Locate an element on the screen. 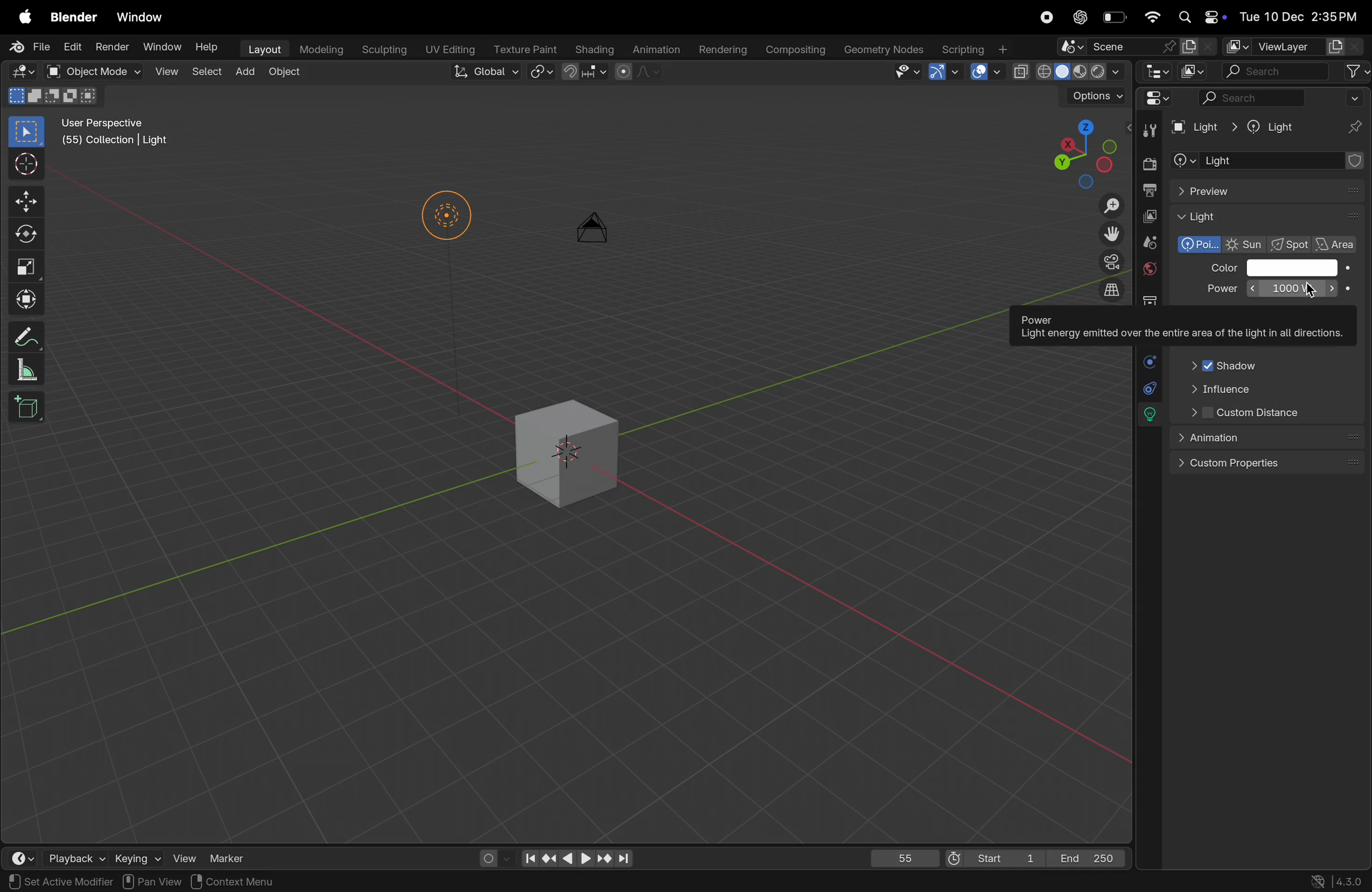 This screenshot has width=1372, height=892. spot is located at coordinates (1292, 245).